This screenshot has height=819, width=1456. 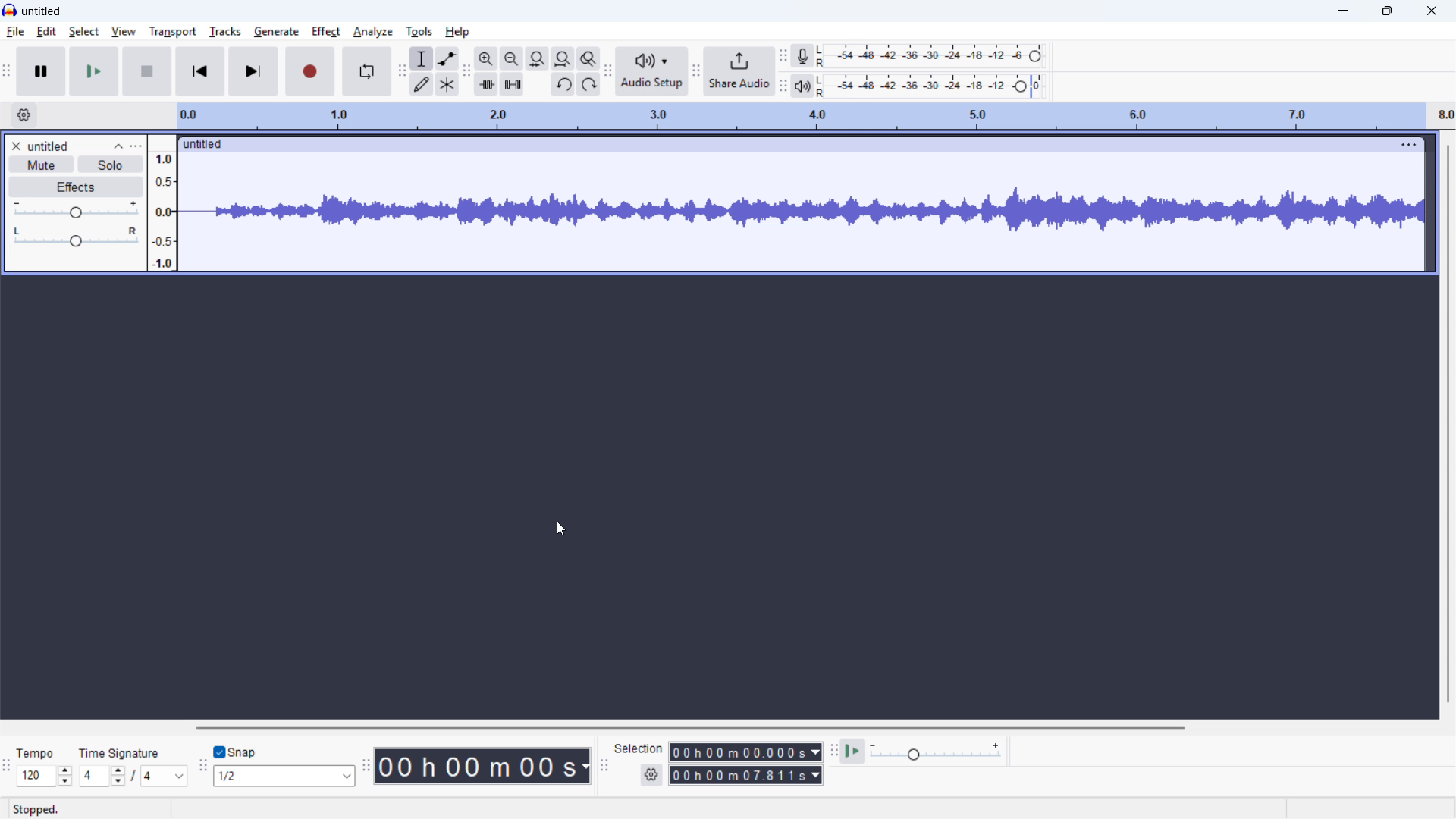 What do you see at coordinates (513, 85) in the screenshot?
I see `Silence audio selection ` at bounding box center [513, 85].